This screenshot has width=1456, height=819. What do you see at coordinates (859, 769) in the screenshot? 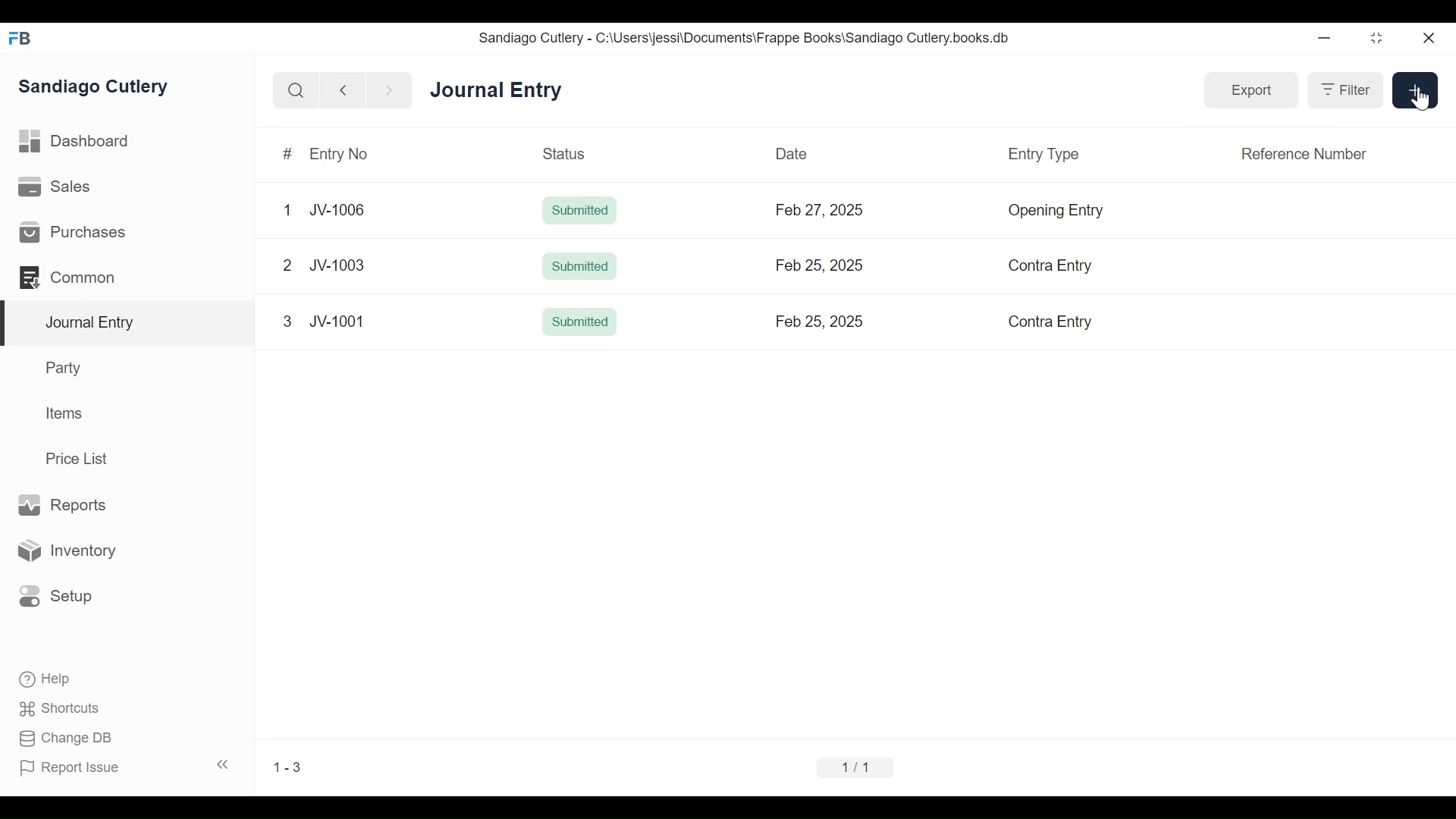
I see `1/1` at bounding box center [859, 769].